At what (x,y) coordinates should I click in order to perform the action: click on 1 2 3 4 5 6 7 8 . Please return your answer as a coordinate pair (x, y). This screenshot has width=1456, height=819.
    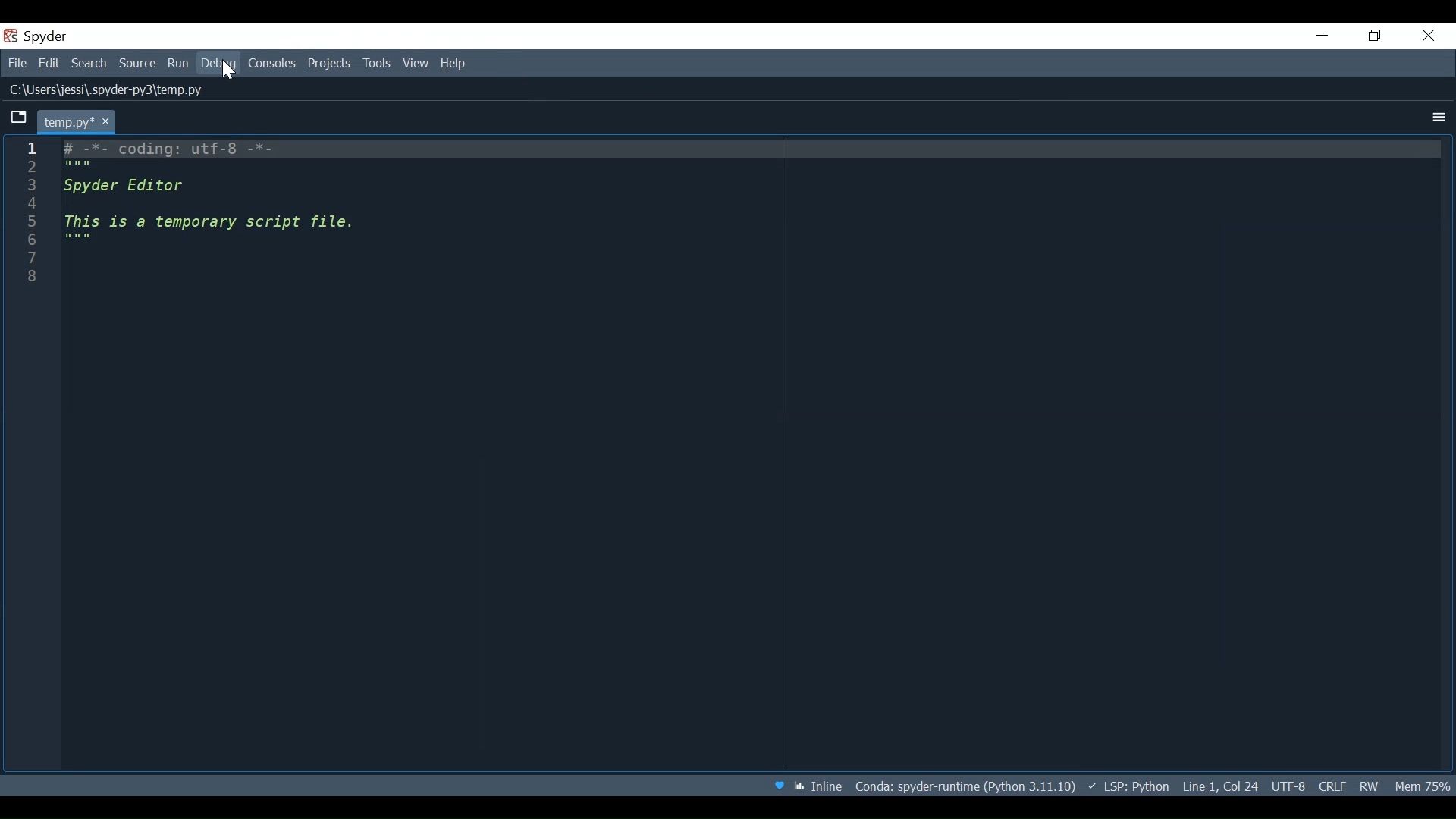
    Looking at the image, I should click on (24, 219).